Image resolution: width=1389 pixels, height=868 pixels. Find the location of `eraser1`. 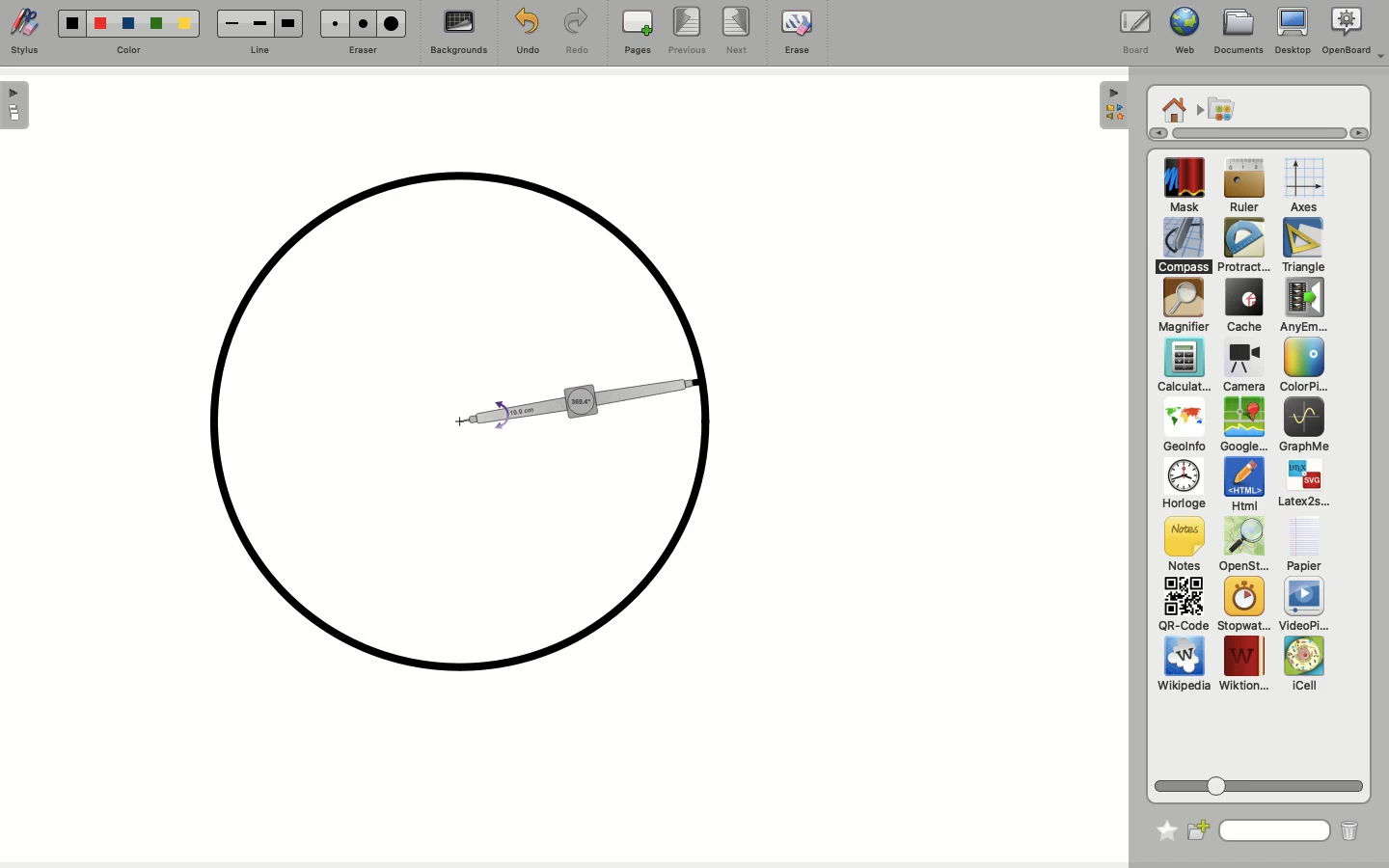

eraser1 is located at coordinates (334, 23).